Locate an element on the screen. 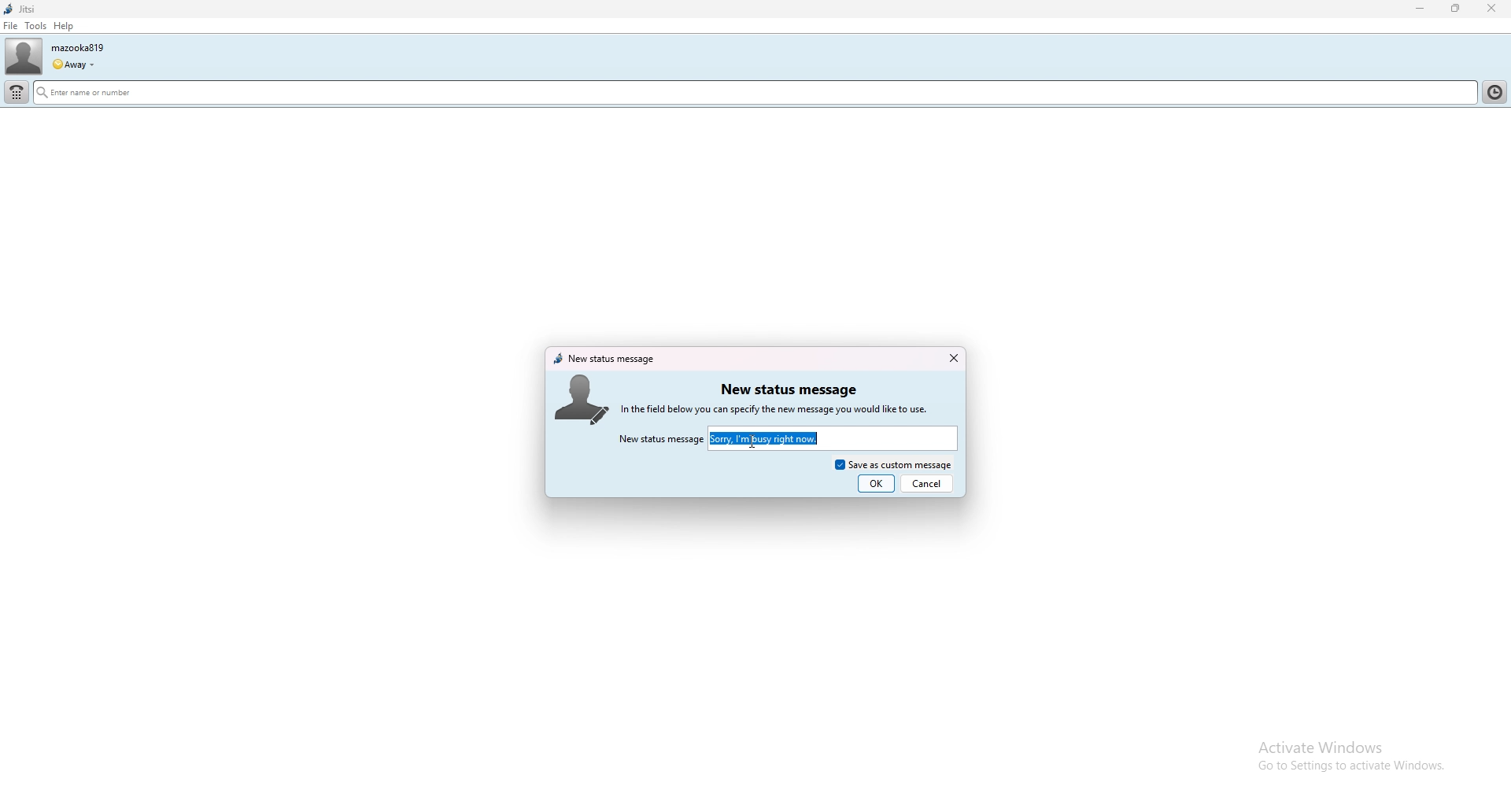 The width and height of the screenshot is (1511, 812). username is located at coordinates (77, 47).